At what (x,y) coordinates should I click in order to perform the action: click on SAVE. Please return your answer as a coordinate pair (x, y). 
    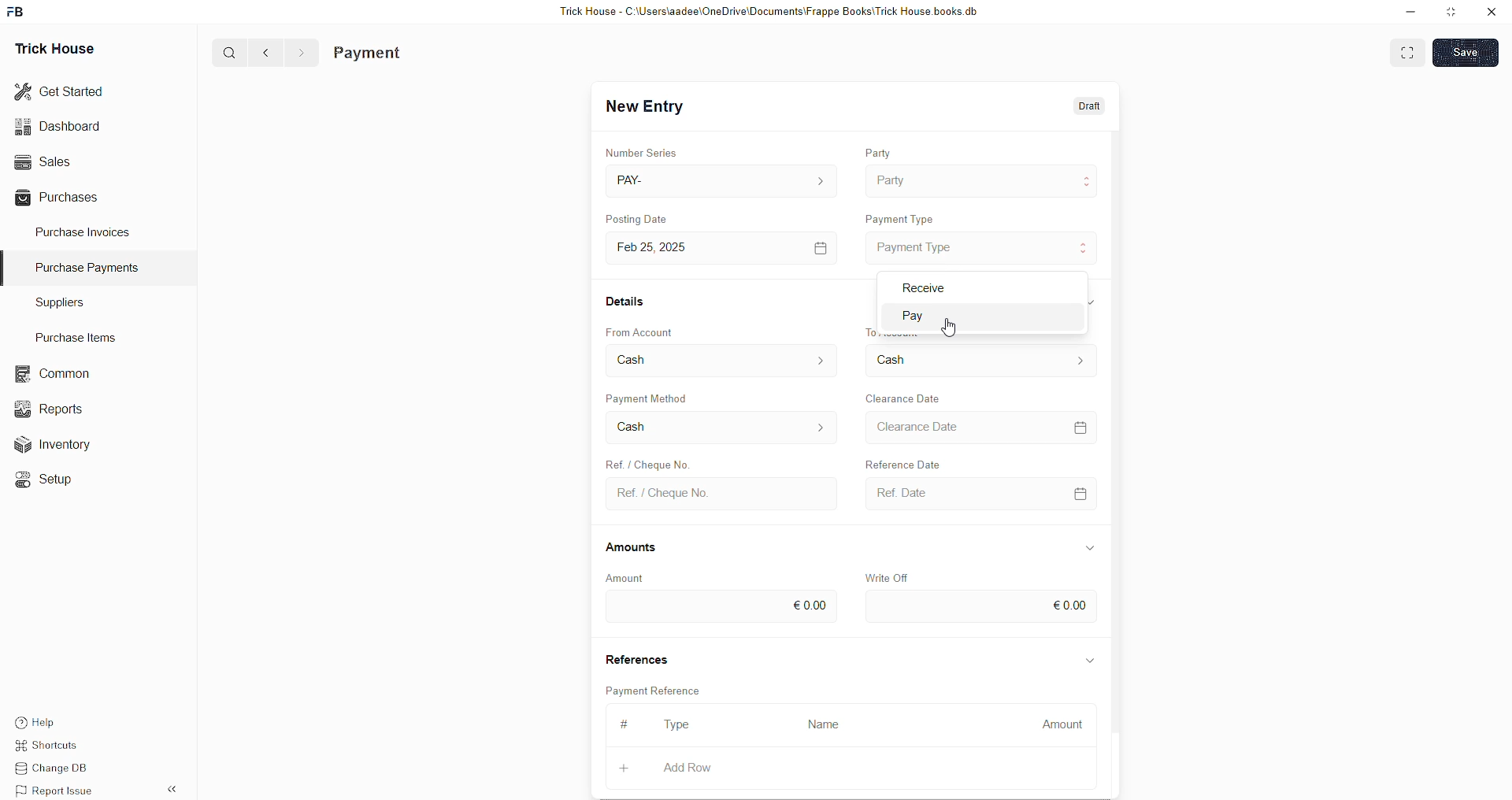
    Looking at the image, I should click on (1469, 51).